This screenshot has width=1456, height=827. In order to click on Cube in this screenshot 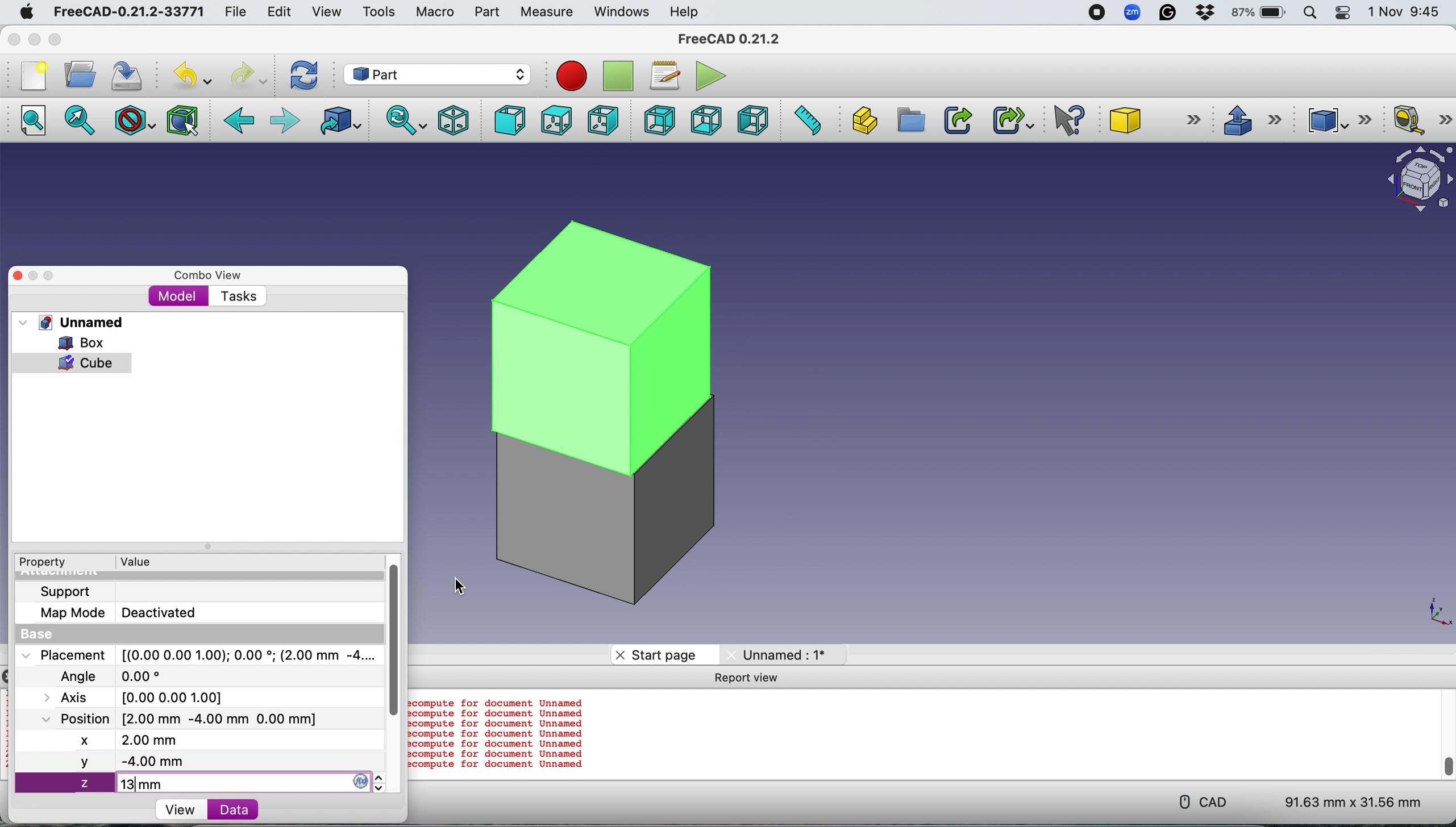, I will do `click(1151, 120)`.